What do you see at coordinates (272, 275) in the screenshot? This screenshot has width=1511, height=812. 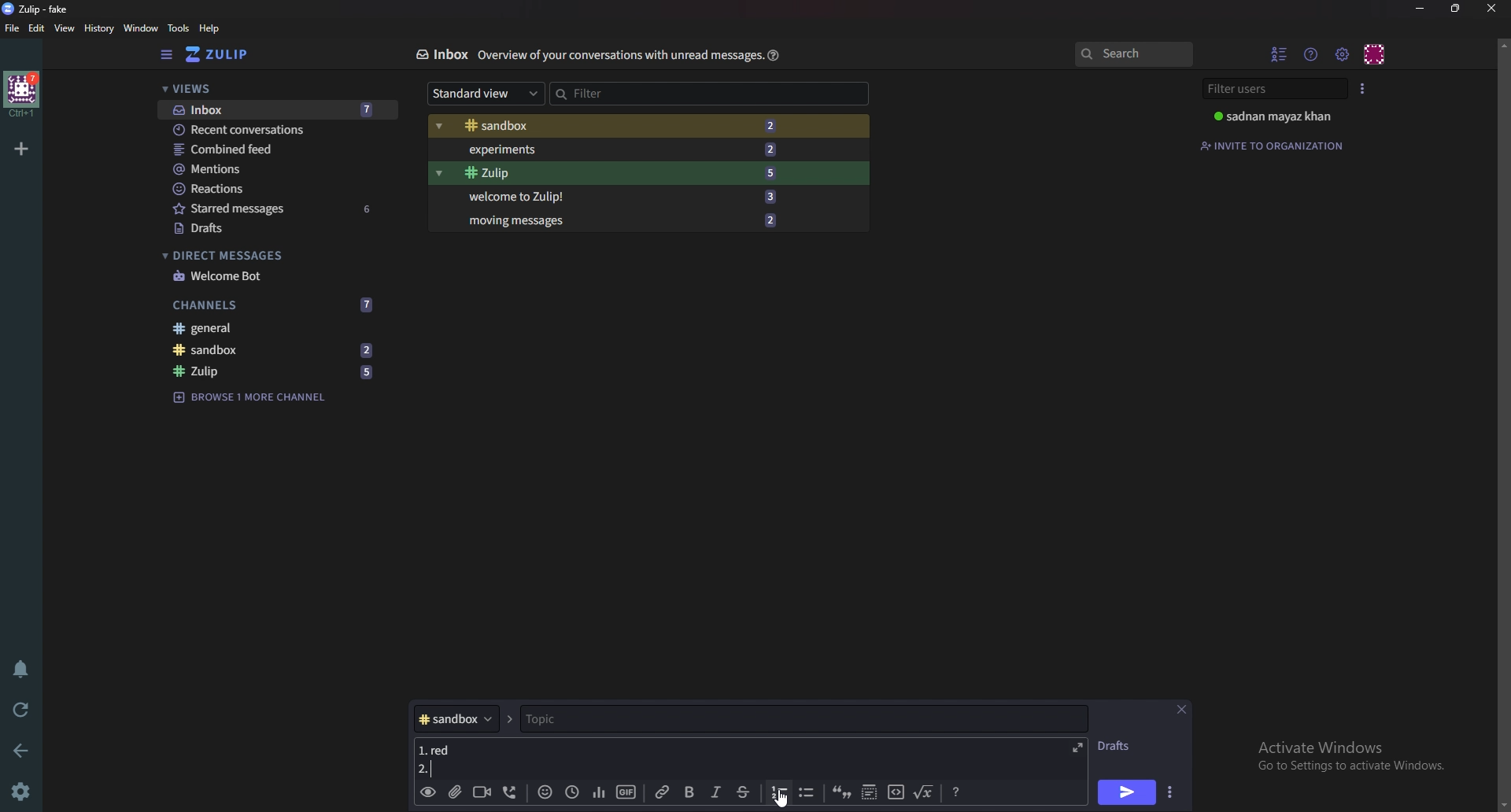 I see `welcome bot` at bounding box center [272, 275].